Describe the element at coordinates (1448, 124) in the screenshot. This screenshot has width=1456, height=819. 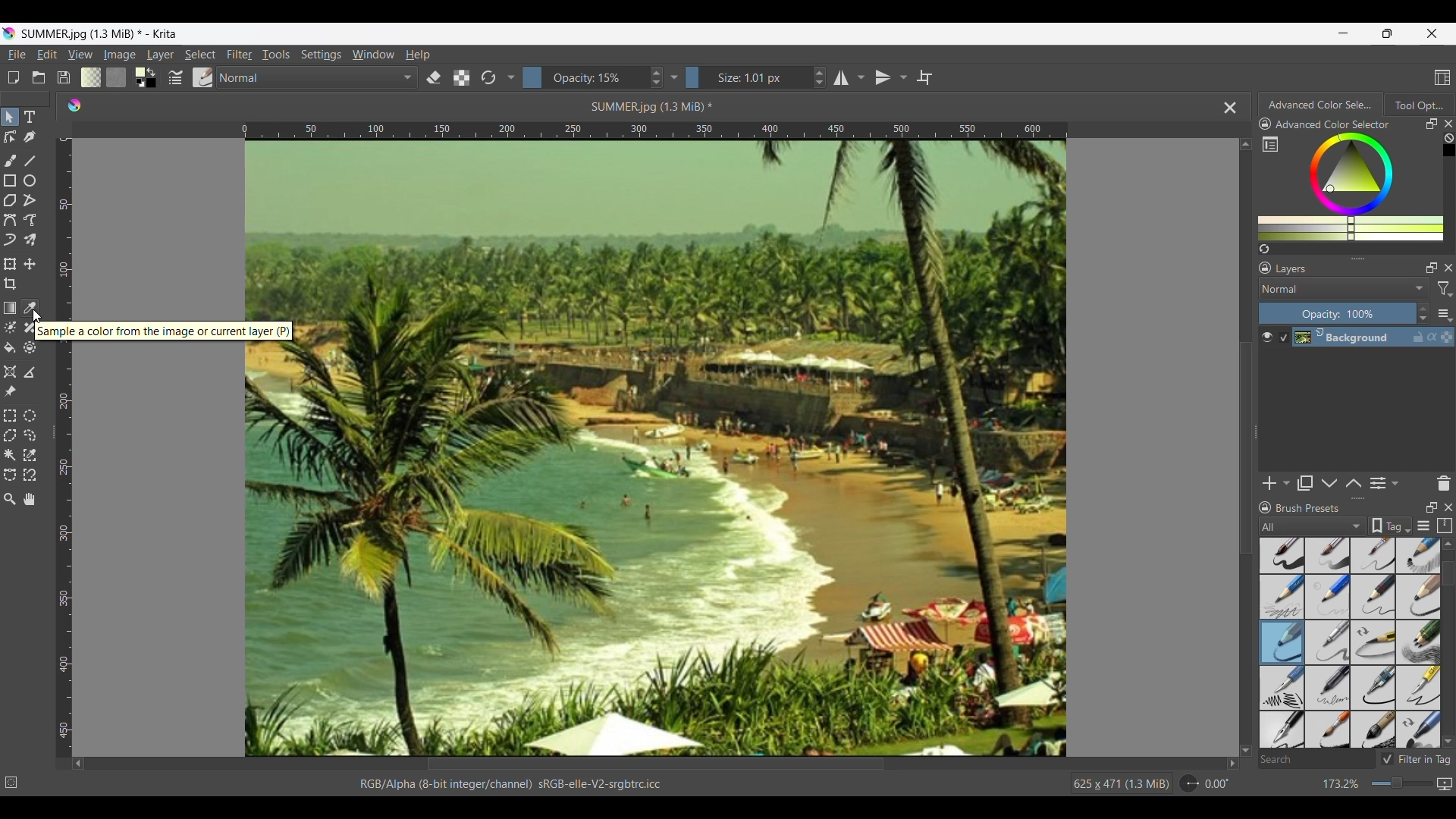
I see `Close right panel` at that location.